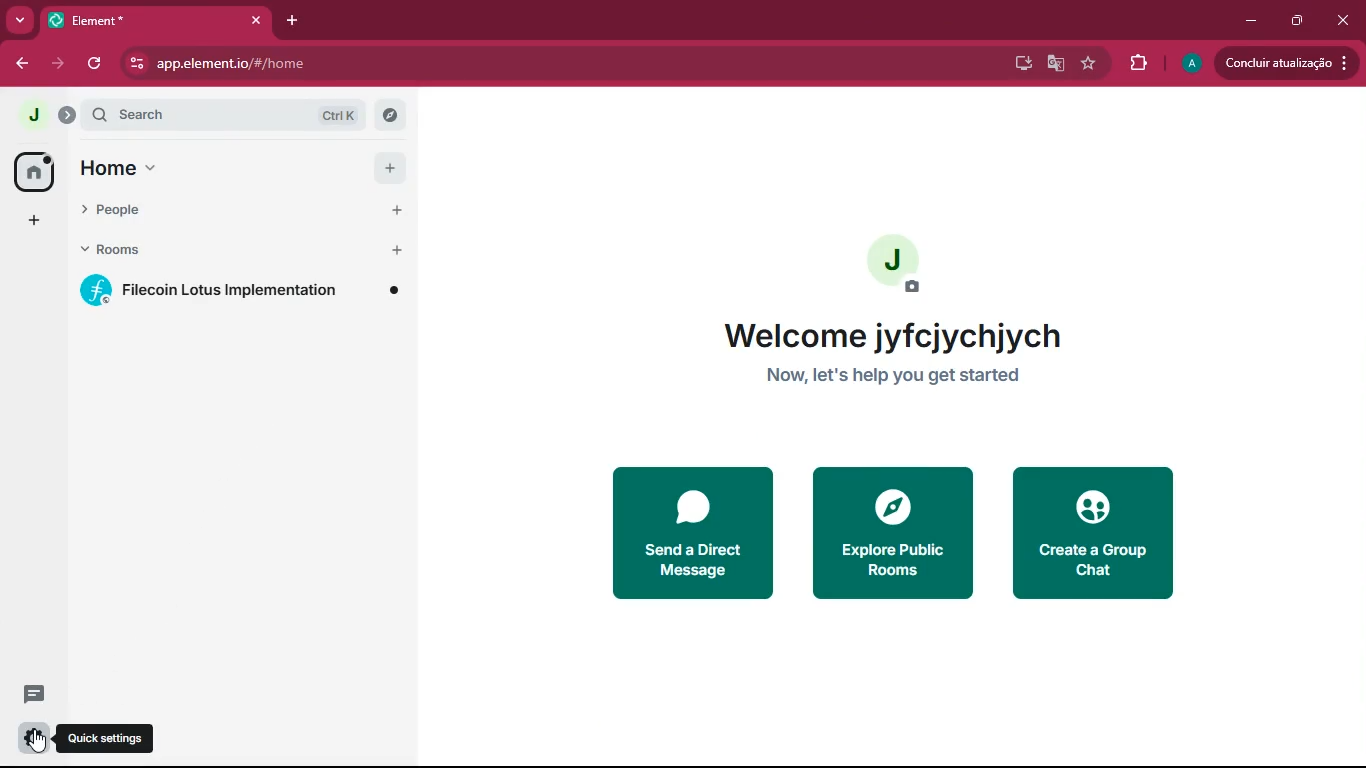  What do you see at coordinates (34, 739) in the screenshot?
I see `settings` at bounding box center [34, 739].